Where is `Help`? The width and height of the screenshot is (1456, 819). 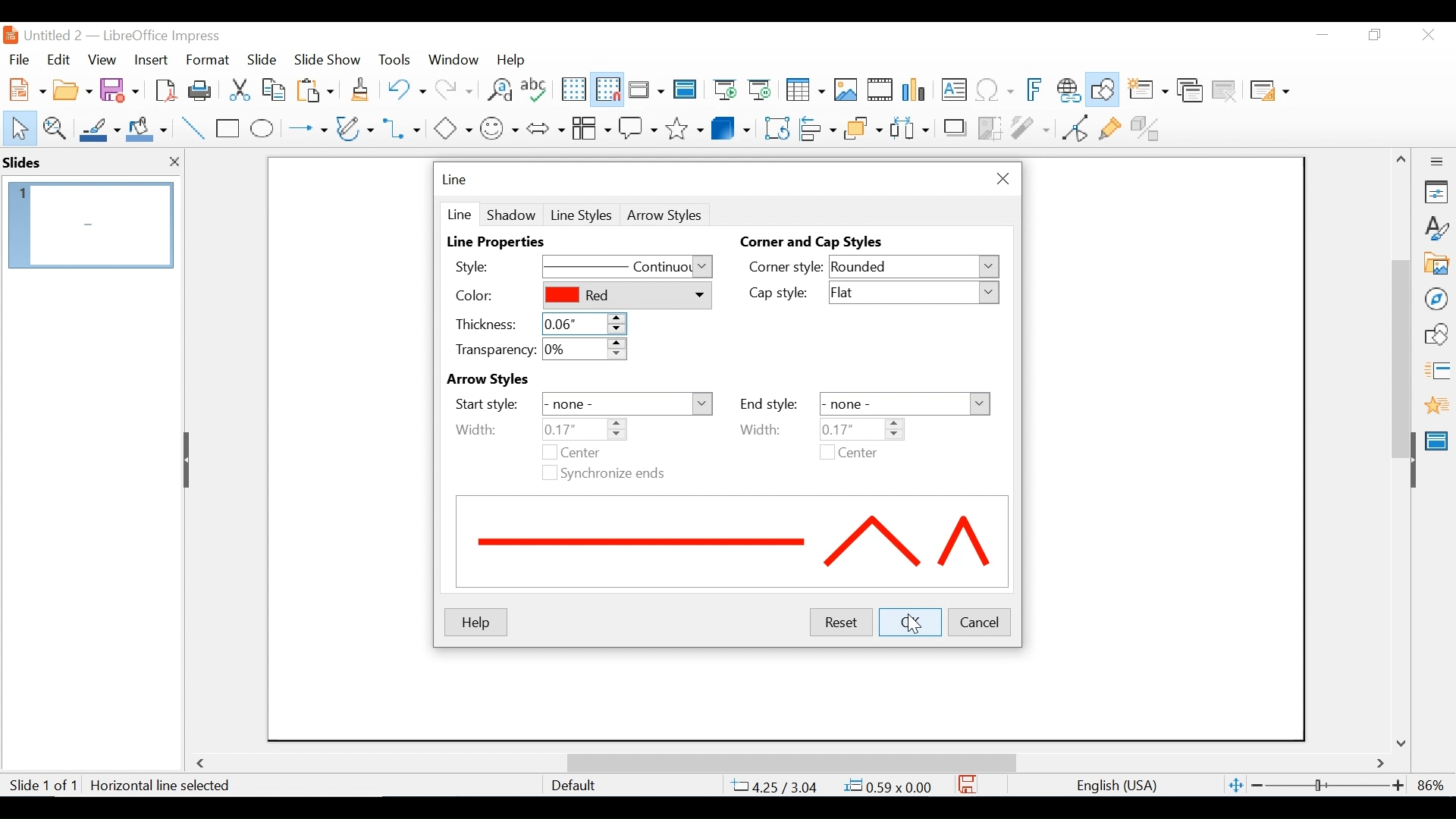 Help is located at coordinates (515, 59).